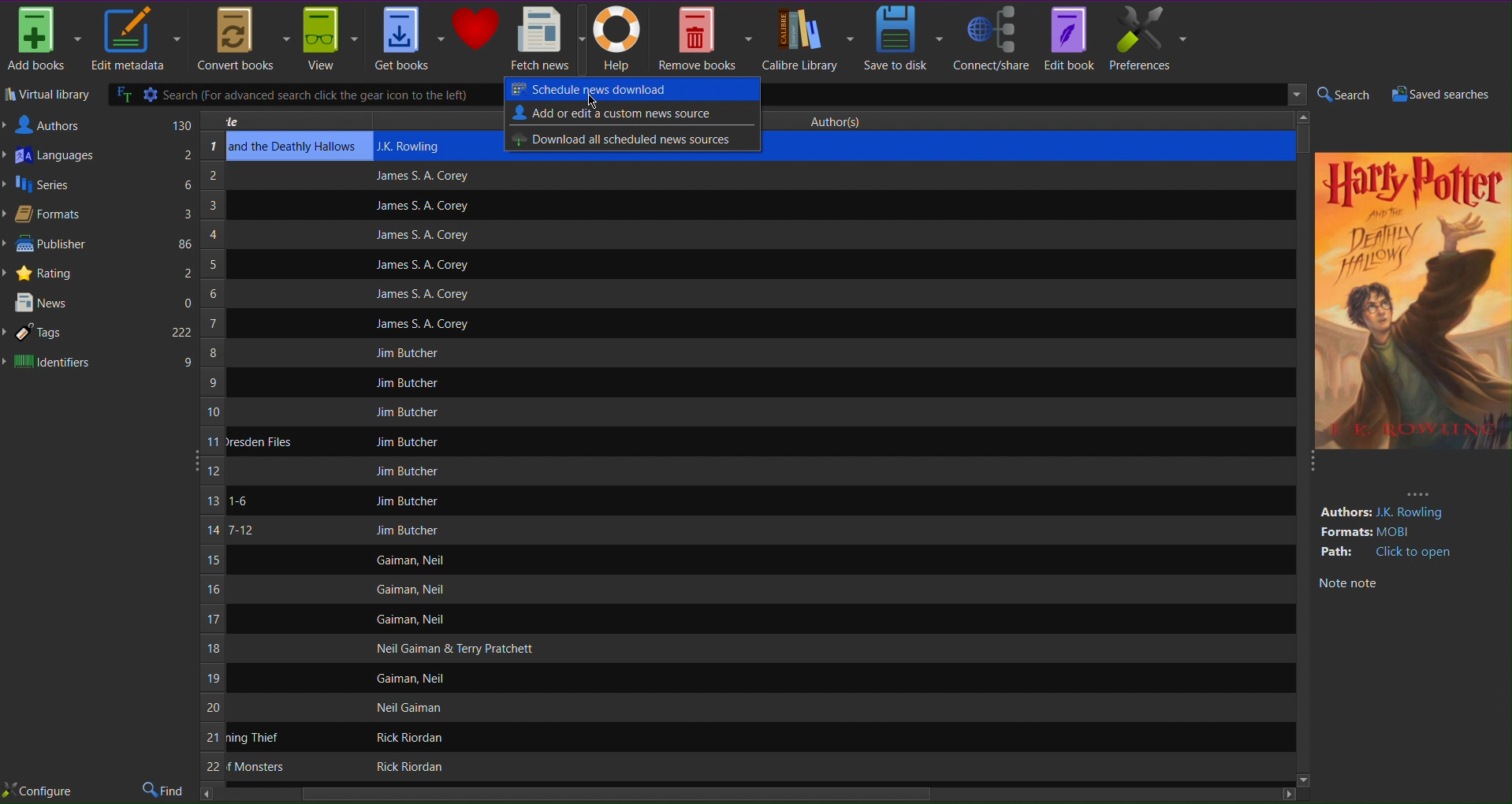  I want to click on Entery number, so click(212, 459).